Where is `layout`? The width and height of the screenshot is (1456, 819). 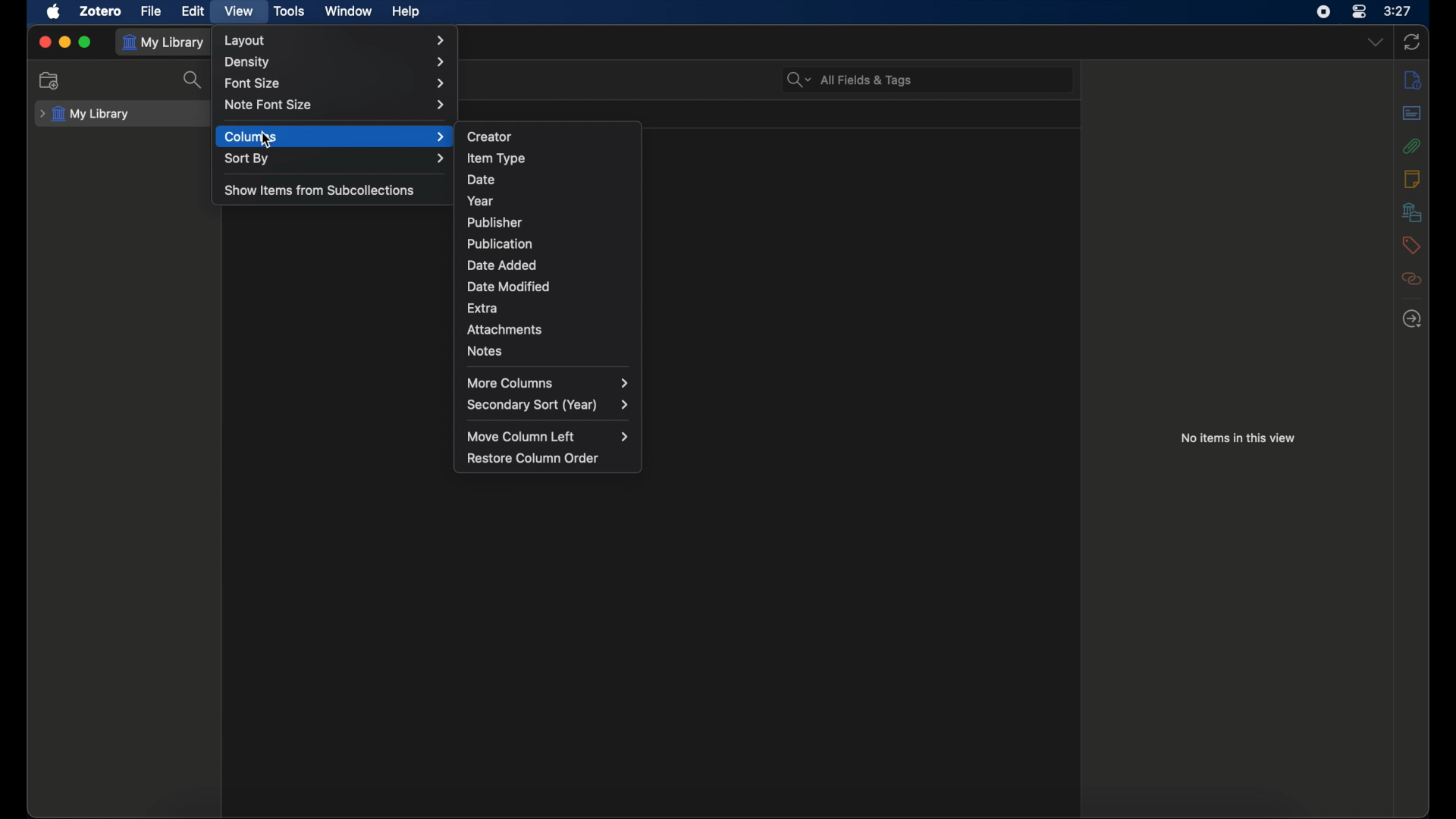
layout is located at coordinates (336, 40).